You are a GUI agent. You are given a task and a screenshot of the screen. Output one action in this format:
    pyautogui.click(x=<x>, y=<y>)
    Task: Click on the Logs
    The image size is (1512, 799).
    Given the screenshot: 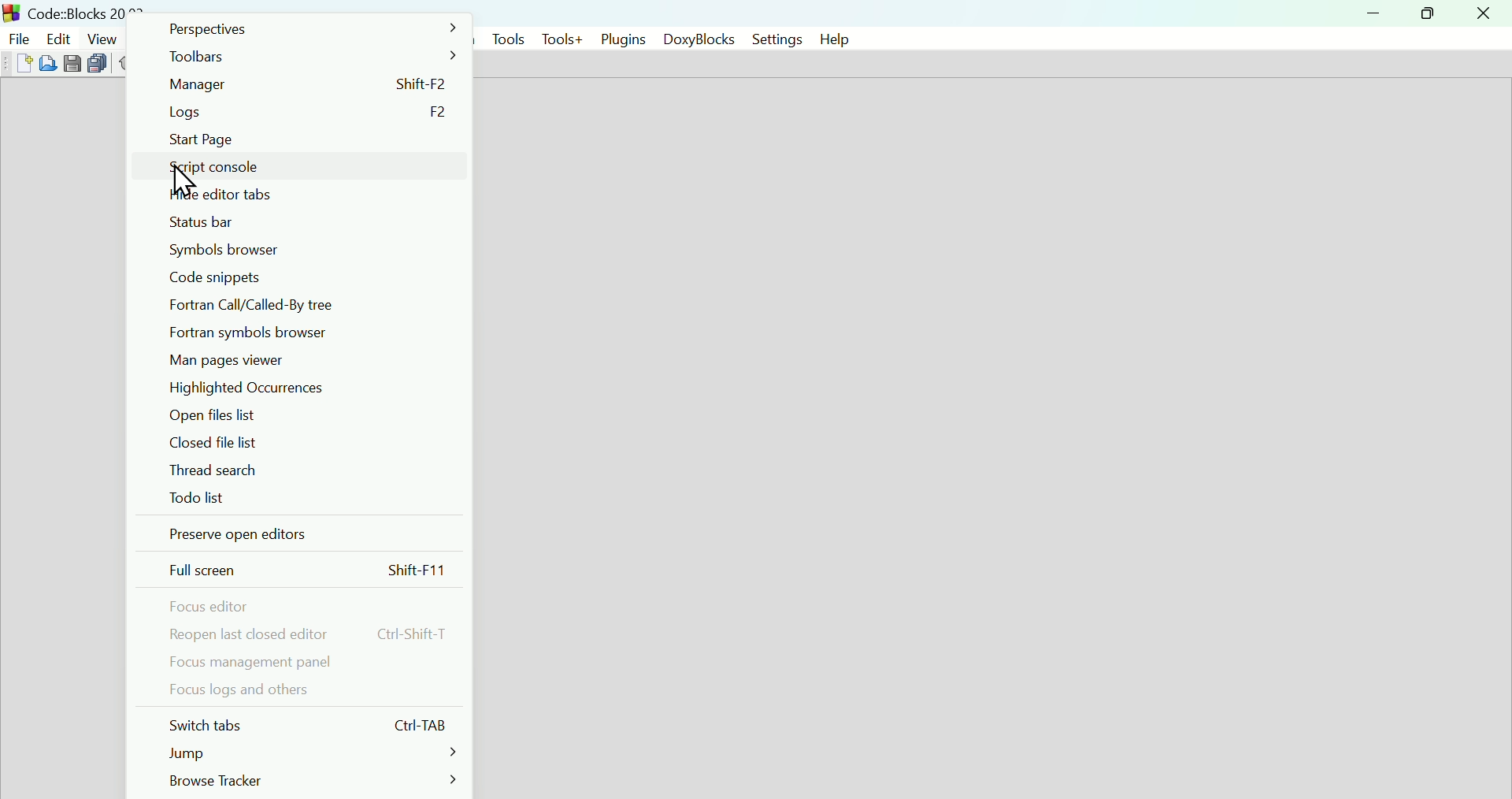 What is the action you would take?
    pyautogui.click(x=306, y=113)
    